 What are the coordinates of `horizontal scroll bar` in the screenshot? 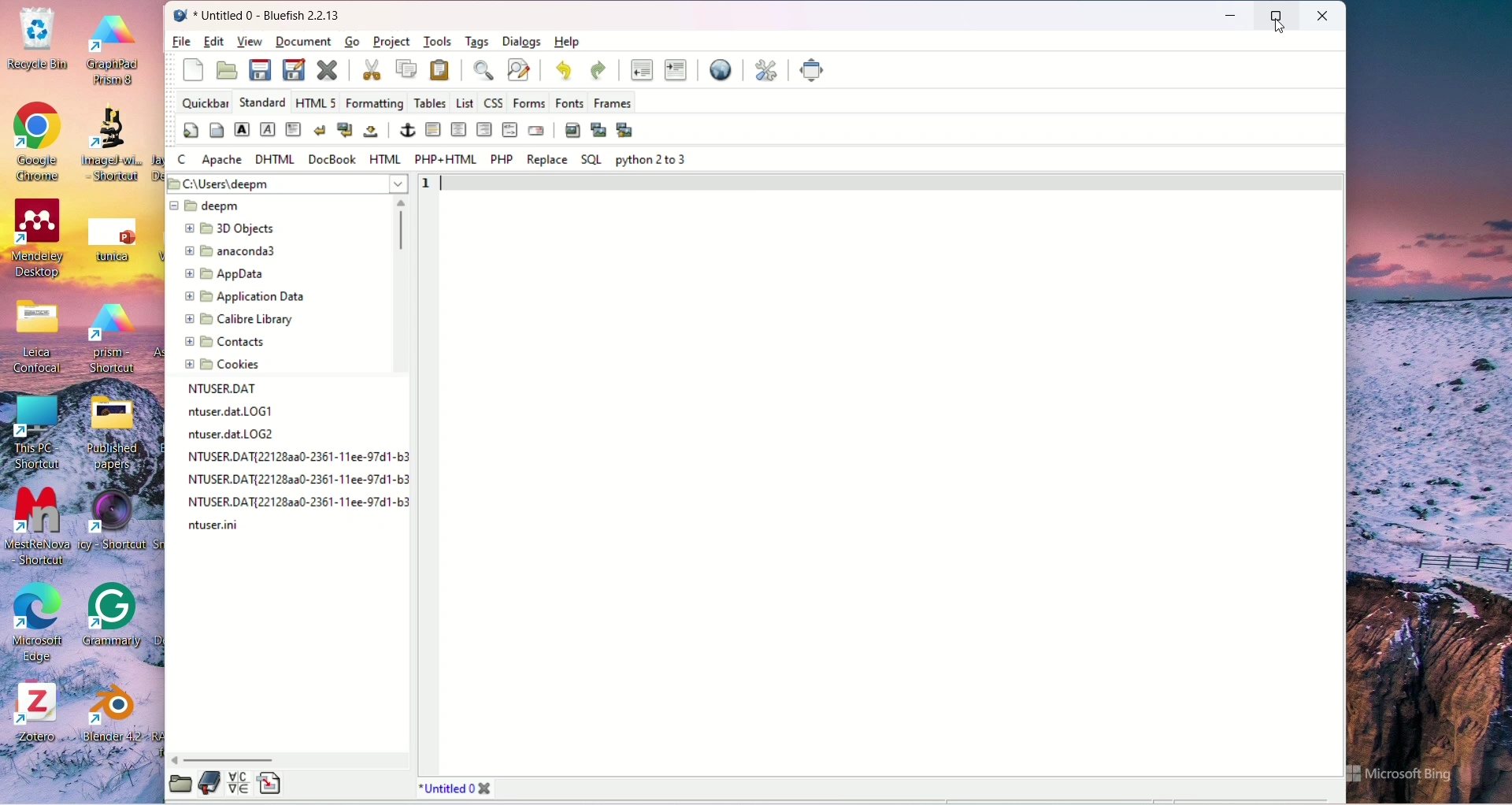 It's located at (291, 760).